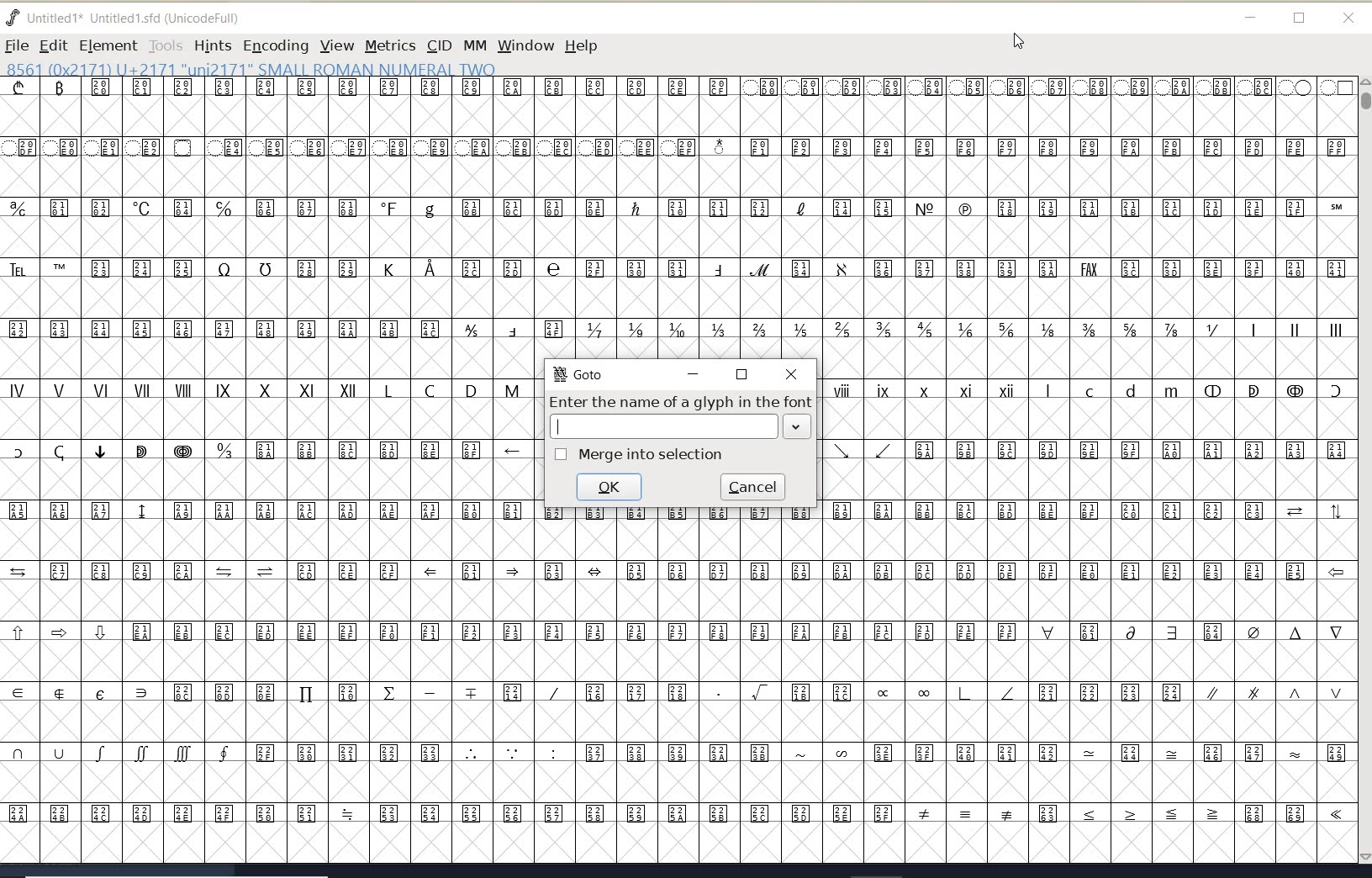 Image resolution: width=1372 pixels, height=878 pixels. What do you see at coordinates (252, 68) in the screenshot?
I see `8561 (0X2171) U+2171 "UNI171" SMALL ROMAN NUMERAL TWO` at bounding box center [252, 68].